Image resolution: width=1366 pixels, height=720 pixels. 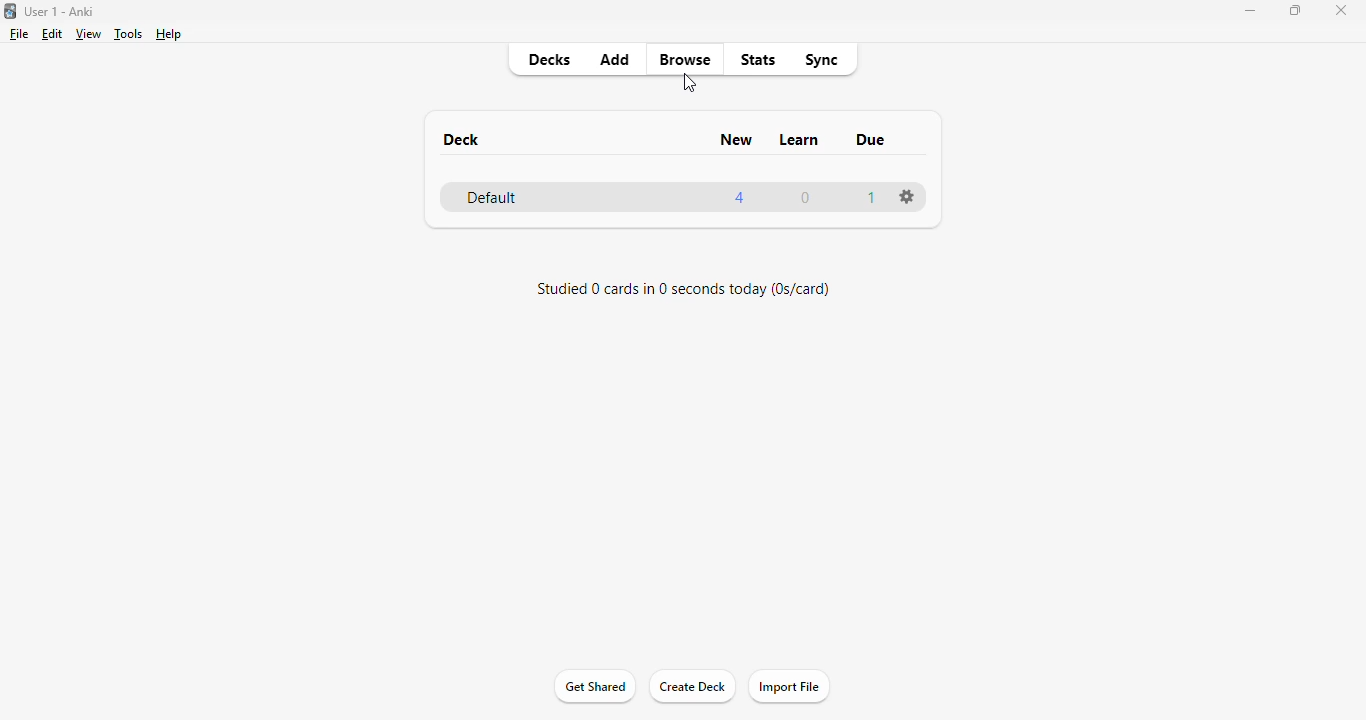 I want to click on help, so click(x=168, y=34).